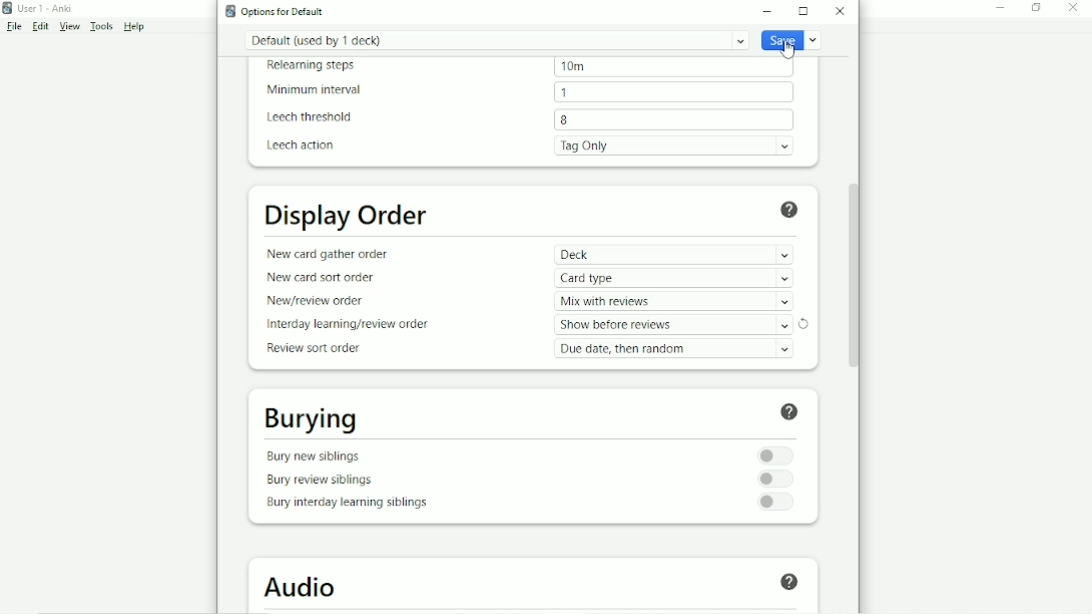 The height and width of the screenshot is (614, 1092). What do you see at coordinates (794, 411) in the screenshot?
I see `Help` at bounding box center [794, 411].